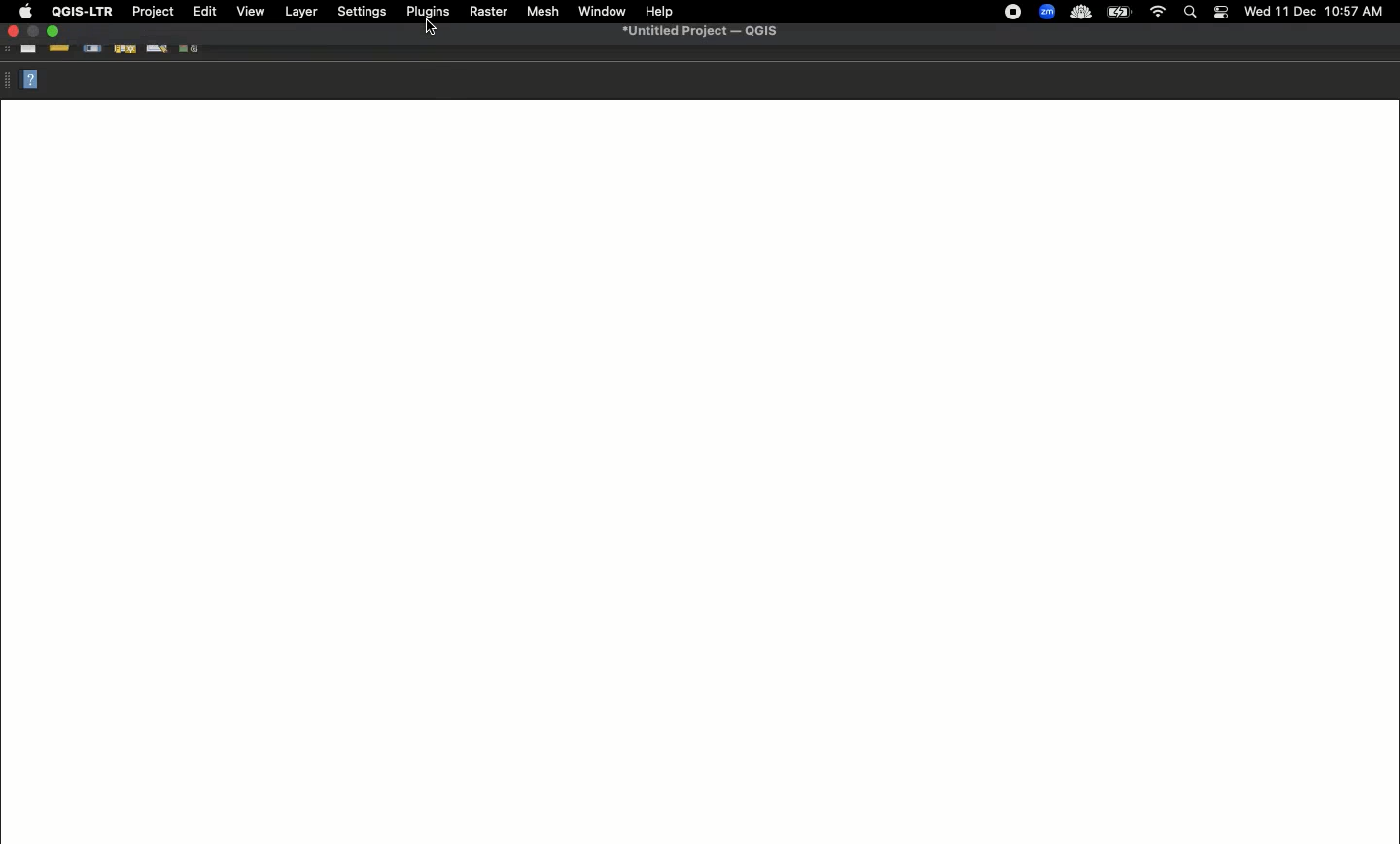 This screenshot has height=844, width=1400. Describe the element at coordinates (1124, 12) in the screenshot. I see `Charge` at that location.